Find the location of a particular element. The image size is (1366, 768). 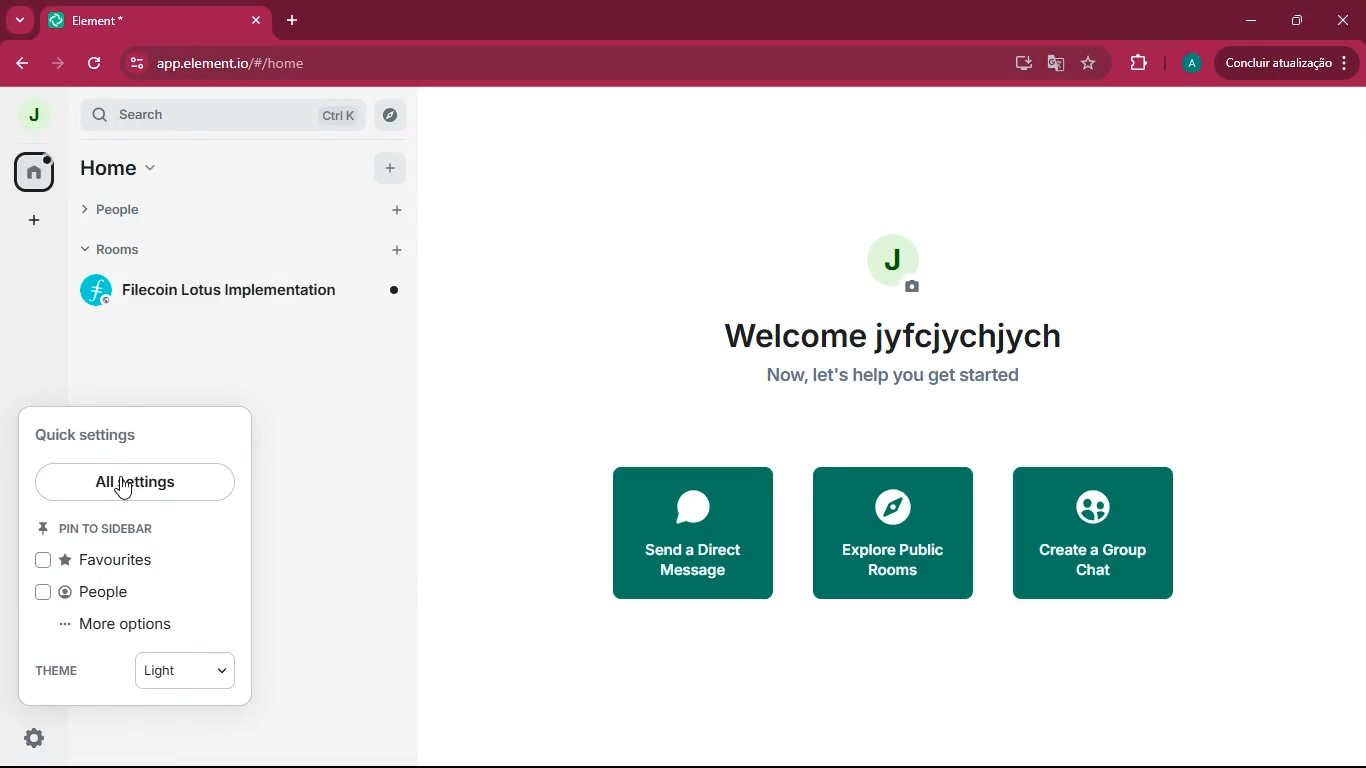

google translate is located at coordinates (1054, 62).